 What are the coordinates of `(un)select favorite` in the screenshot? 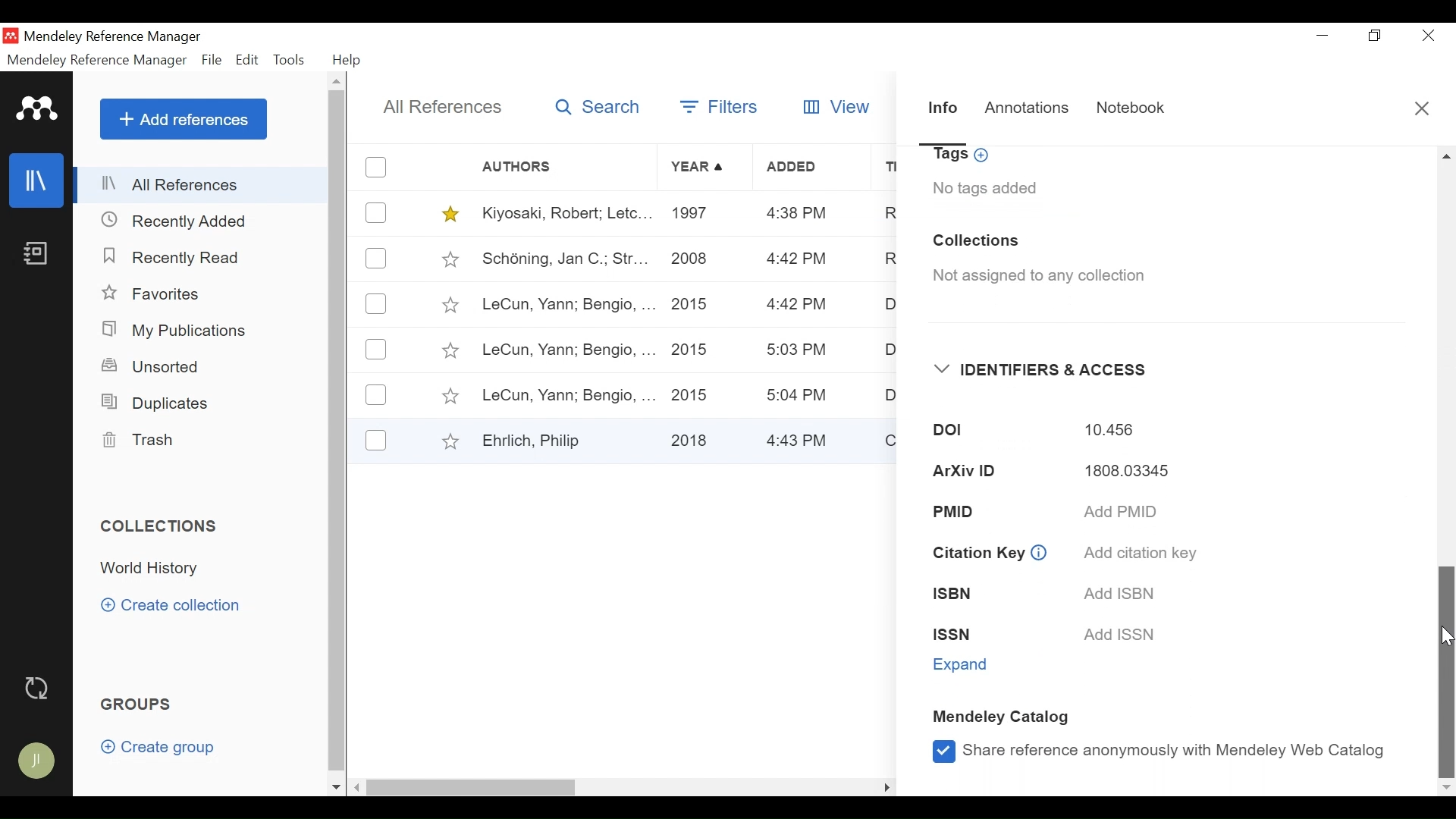 It's located at (447, 214).